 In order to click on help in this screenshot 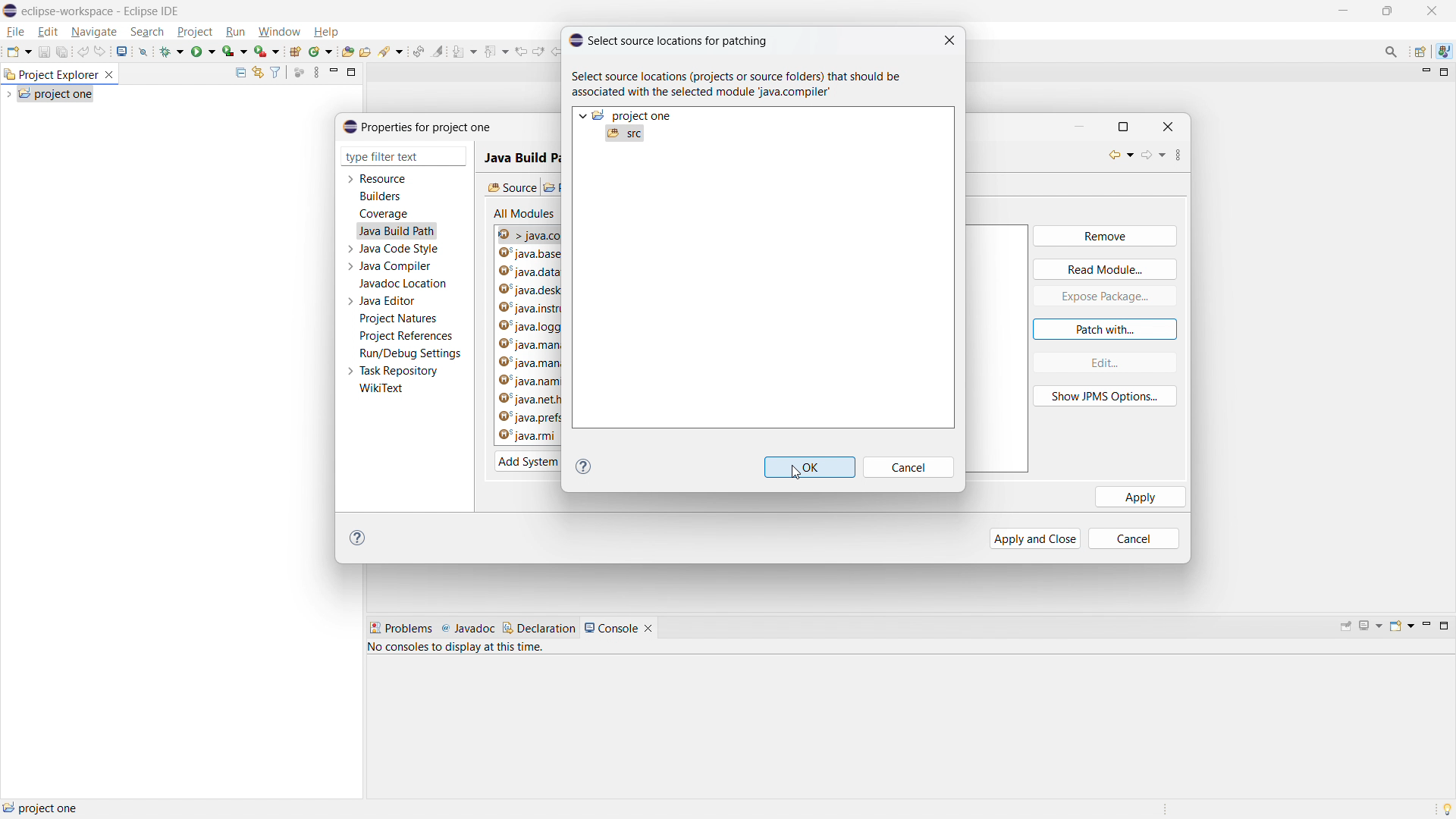, I will do `click(584, 466)`.